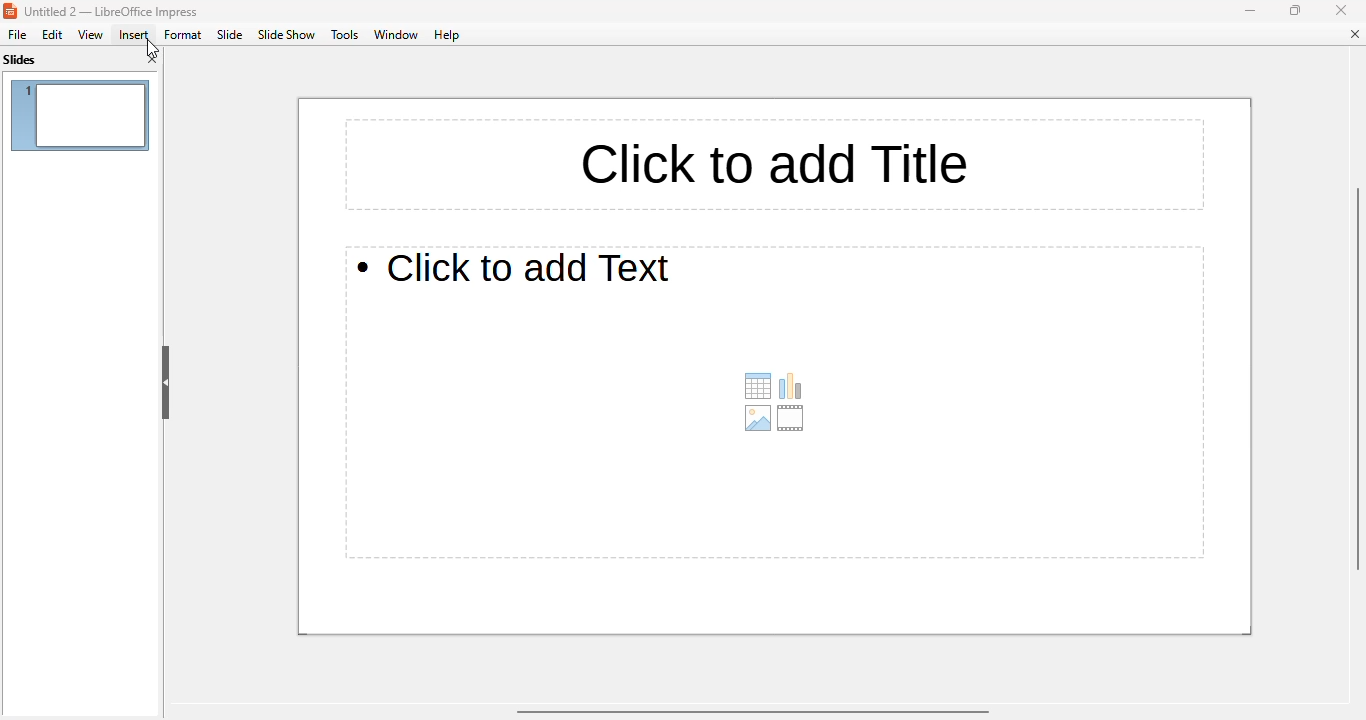 The image size is (1366, 720). What do you see at coordinates (90, 35) in the screenshot?
I see `view` at bounding box center [90, 35].